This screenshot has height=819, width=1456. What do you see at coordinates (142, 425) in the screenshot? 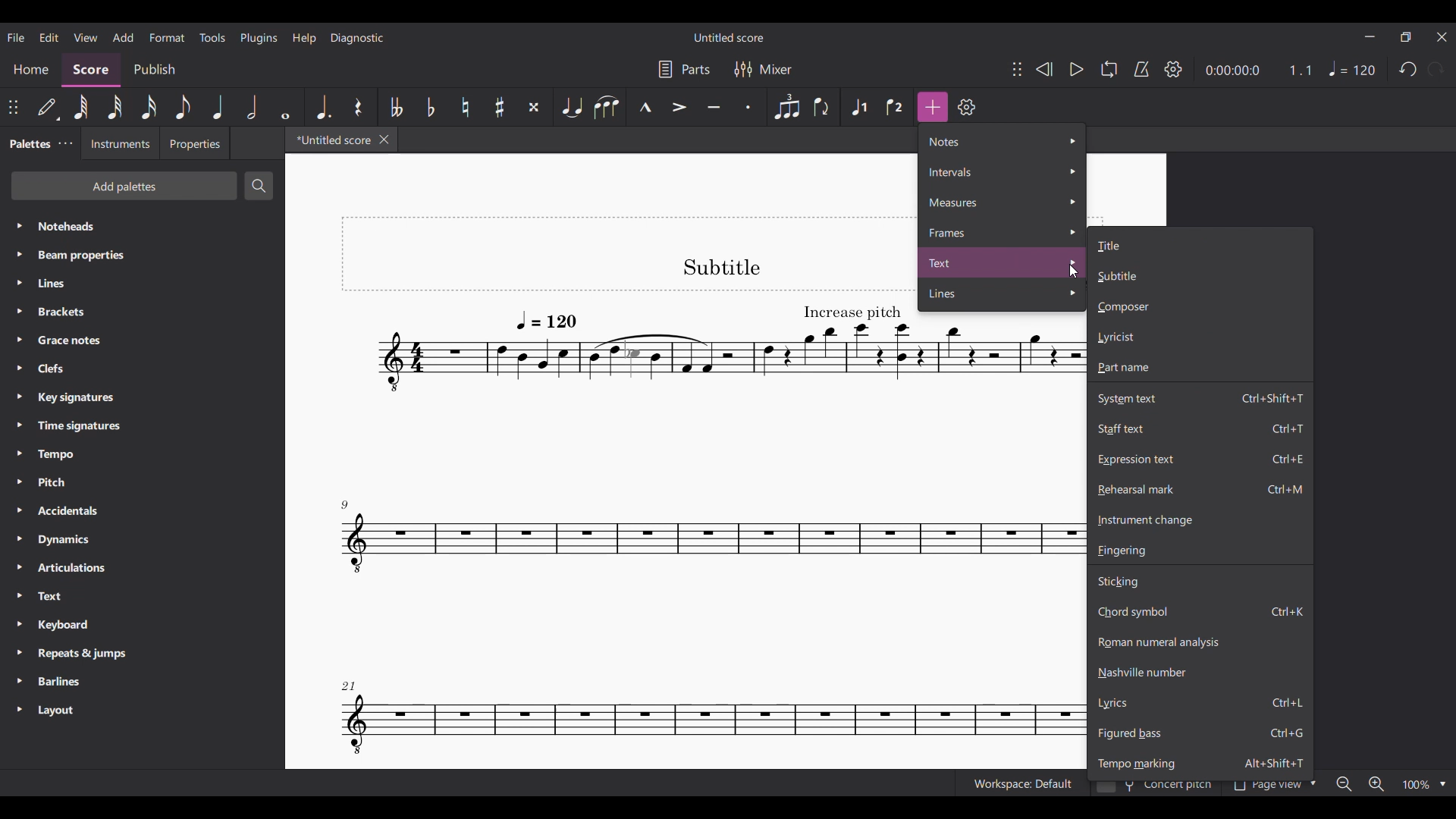
I see `Time signatures` at bounding box center [142, 425].